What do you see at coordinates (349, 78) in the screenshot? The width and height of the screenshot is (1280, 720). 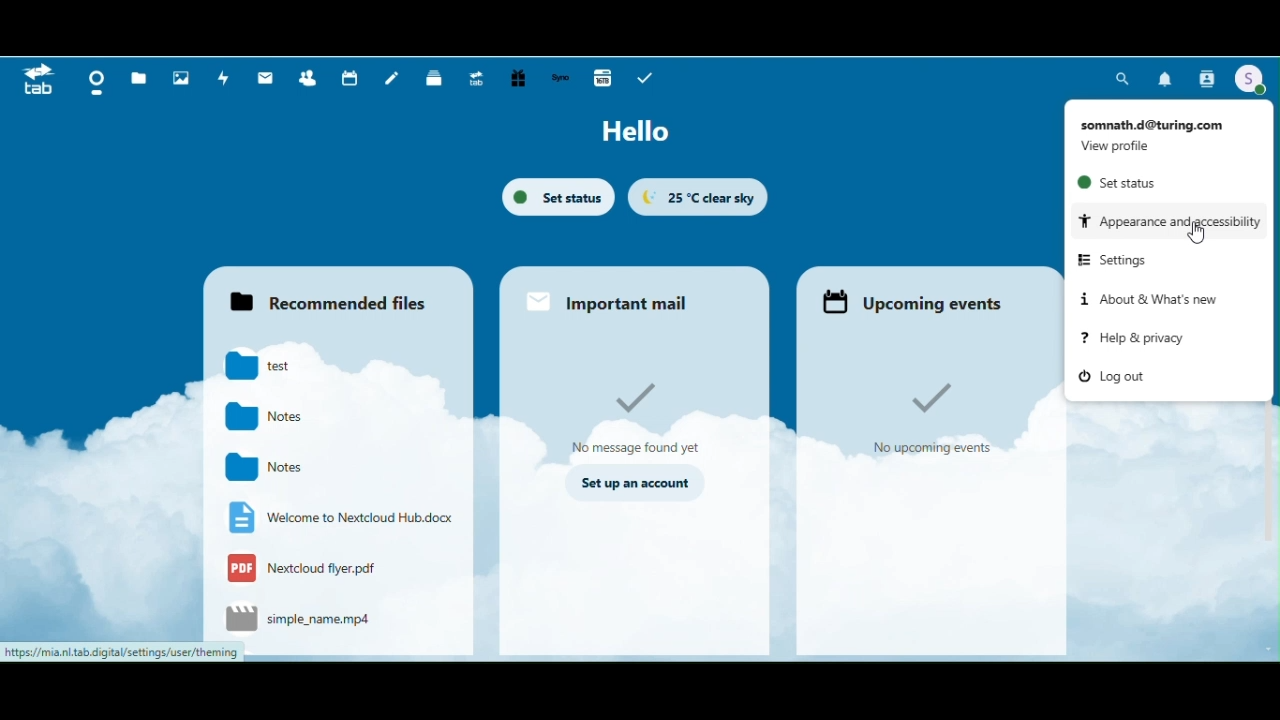 I see `Calendar` at bounding box center [349, 78].